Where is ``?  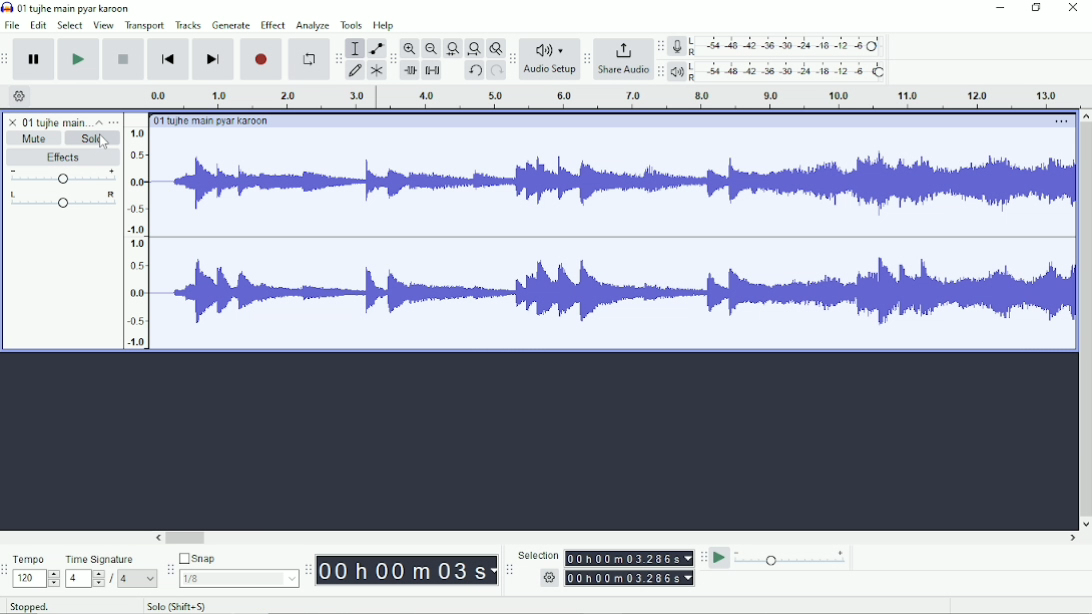
 is located at coordinates (136, 233).